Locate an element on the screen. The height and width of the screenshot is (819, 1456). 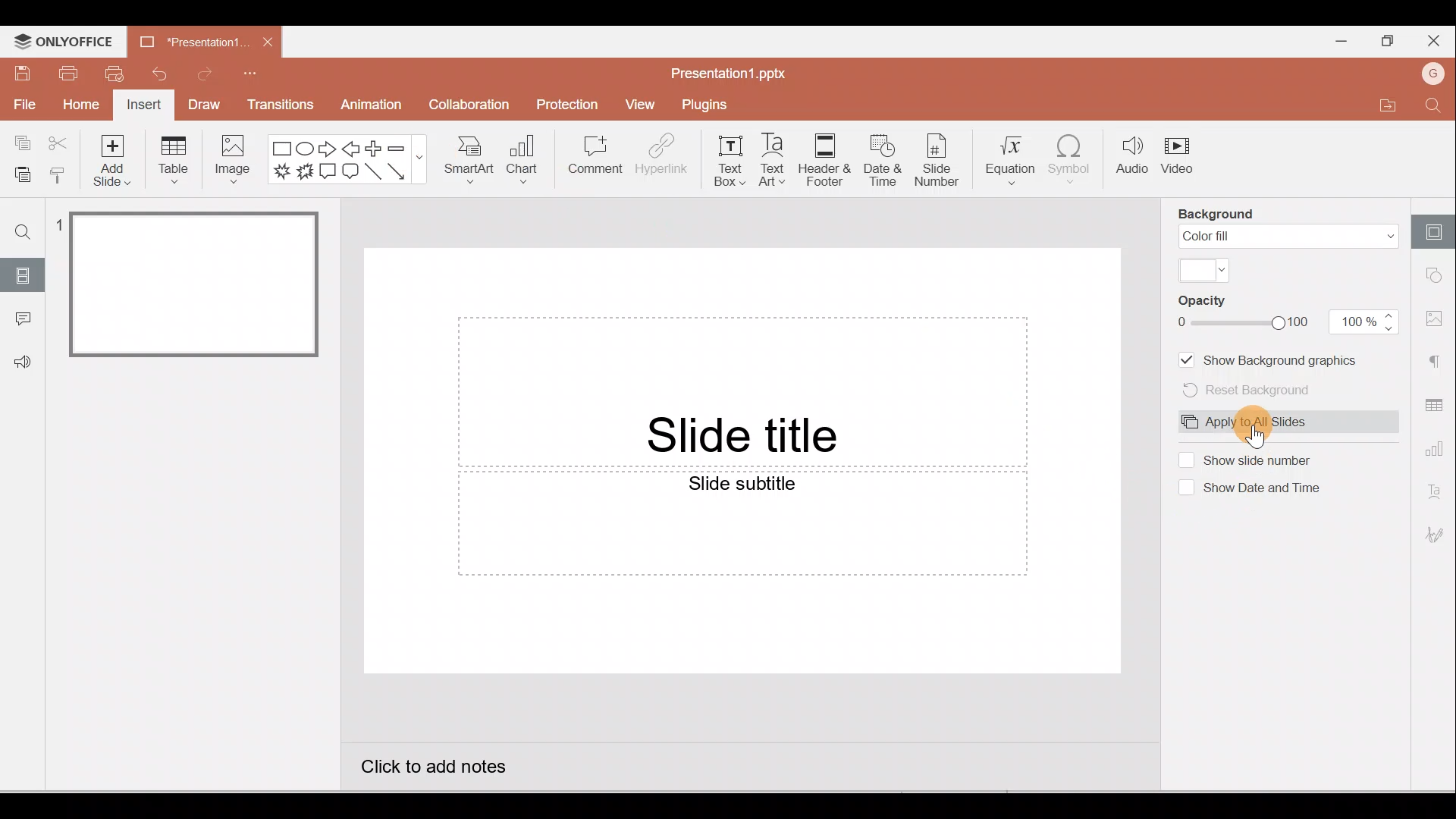
Slide is located at coordinates (24, 274).